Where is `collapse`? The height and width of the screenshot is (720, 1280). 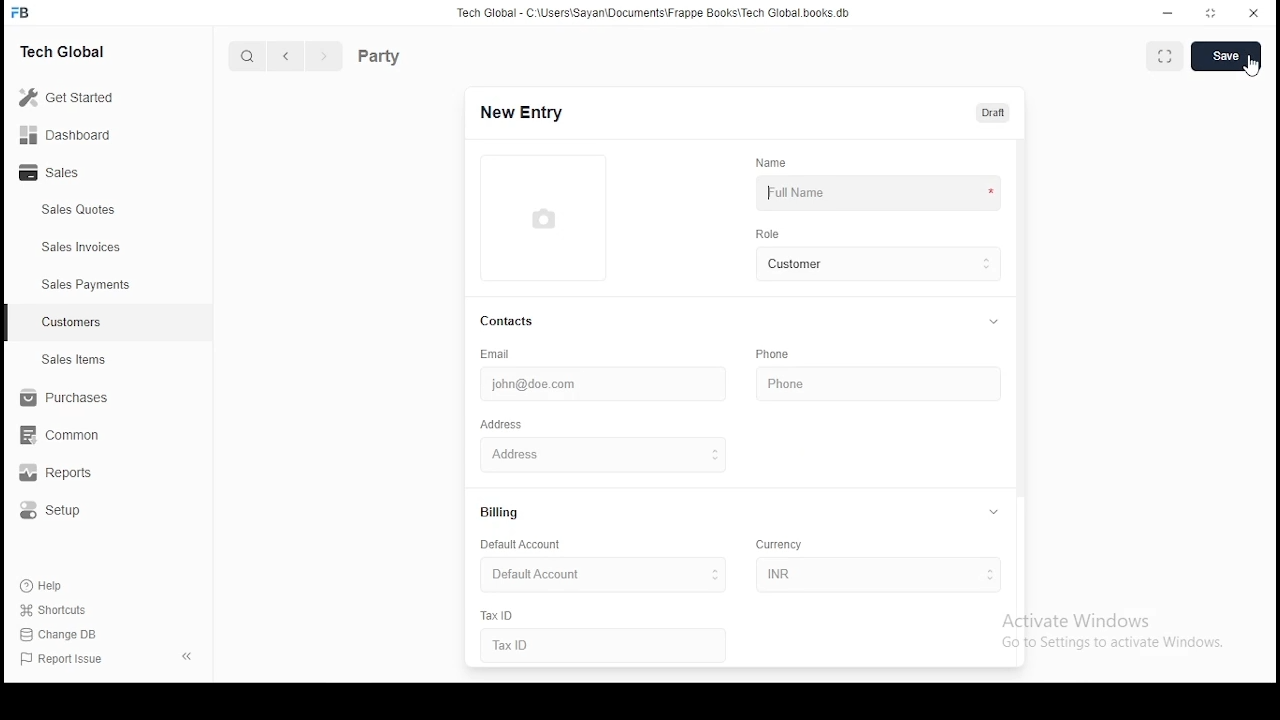 collapse is located at coordinates (998, 512).